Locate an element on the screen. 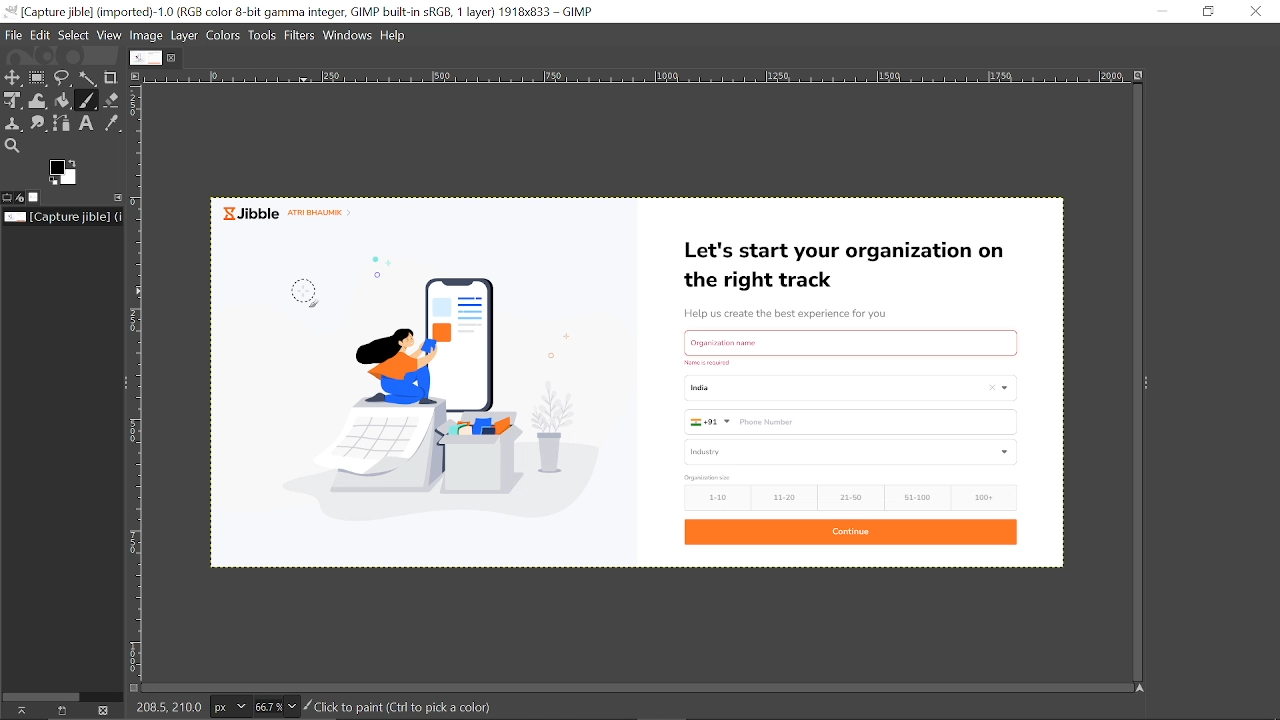  Image is located at coordinates (147, 37).